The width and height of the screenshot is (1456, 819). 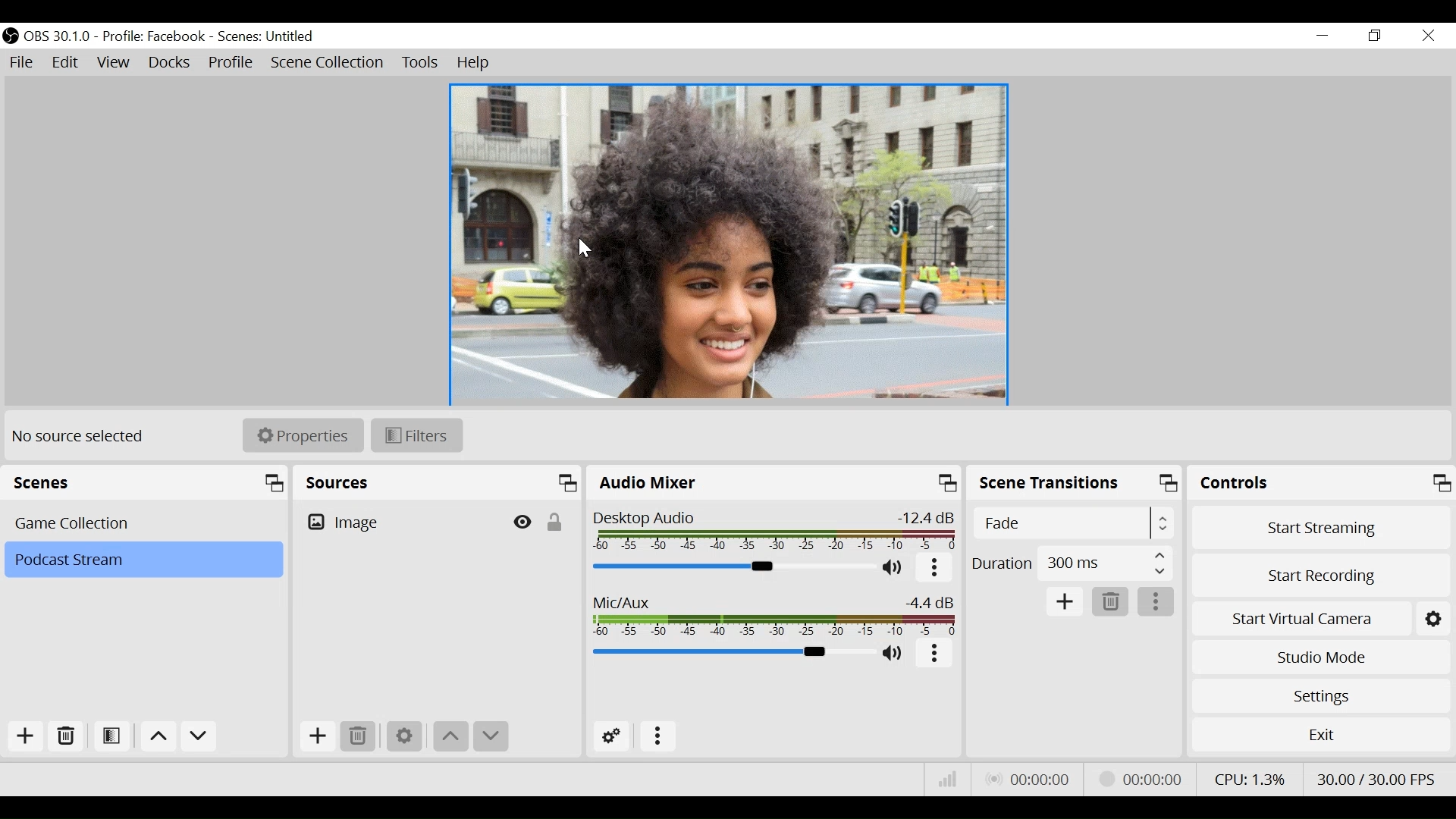 I want to click on Advanced Audio Settings, so click(x=613, y=739).